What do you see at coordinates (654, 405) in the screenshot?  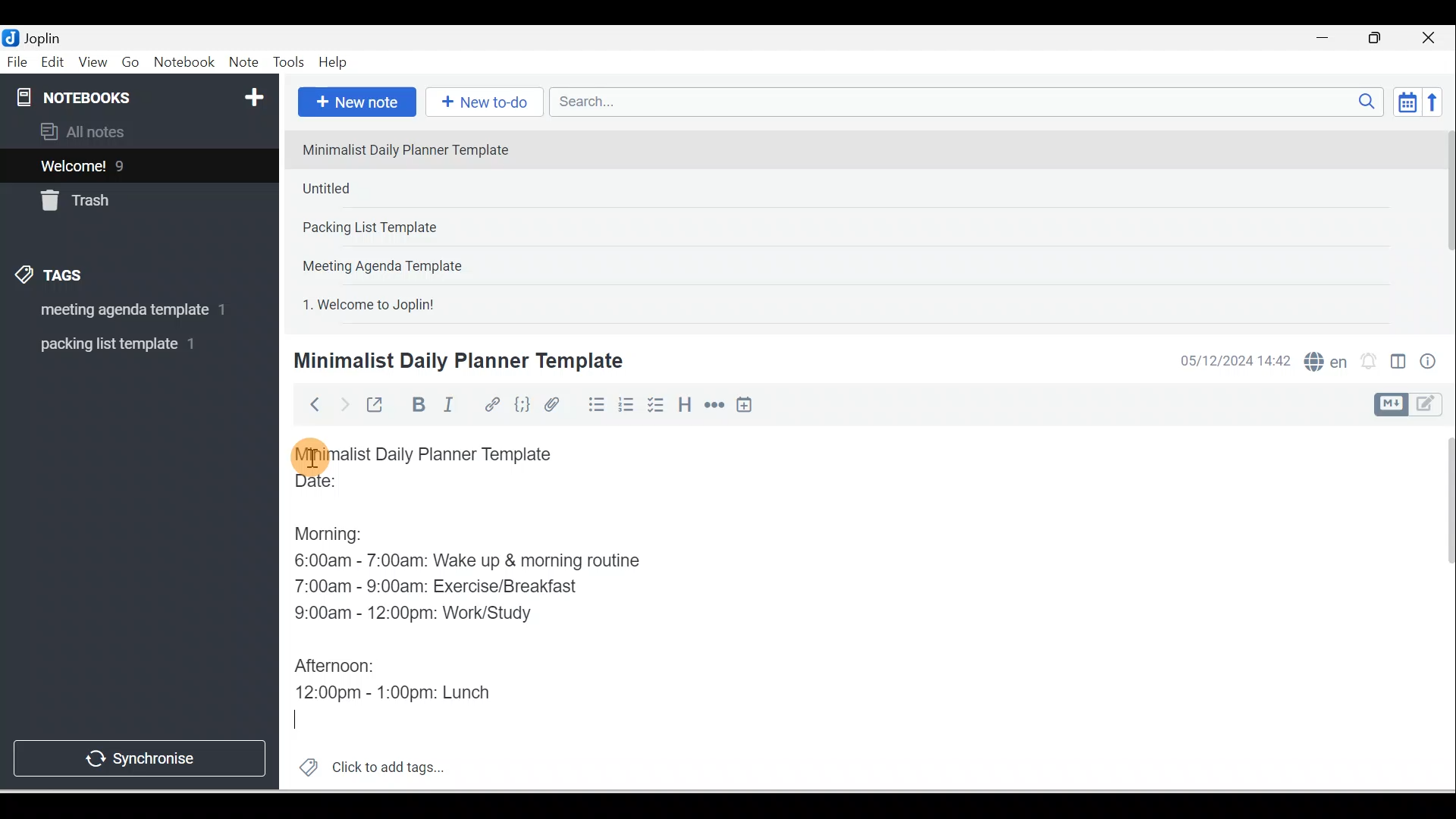 I see `Checkbox` at bounding box center [654, 405].